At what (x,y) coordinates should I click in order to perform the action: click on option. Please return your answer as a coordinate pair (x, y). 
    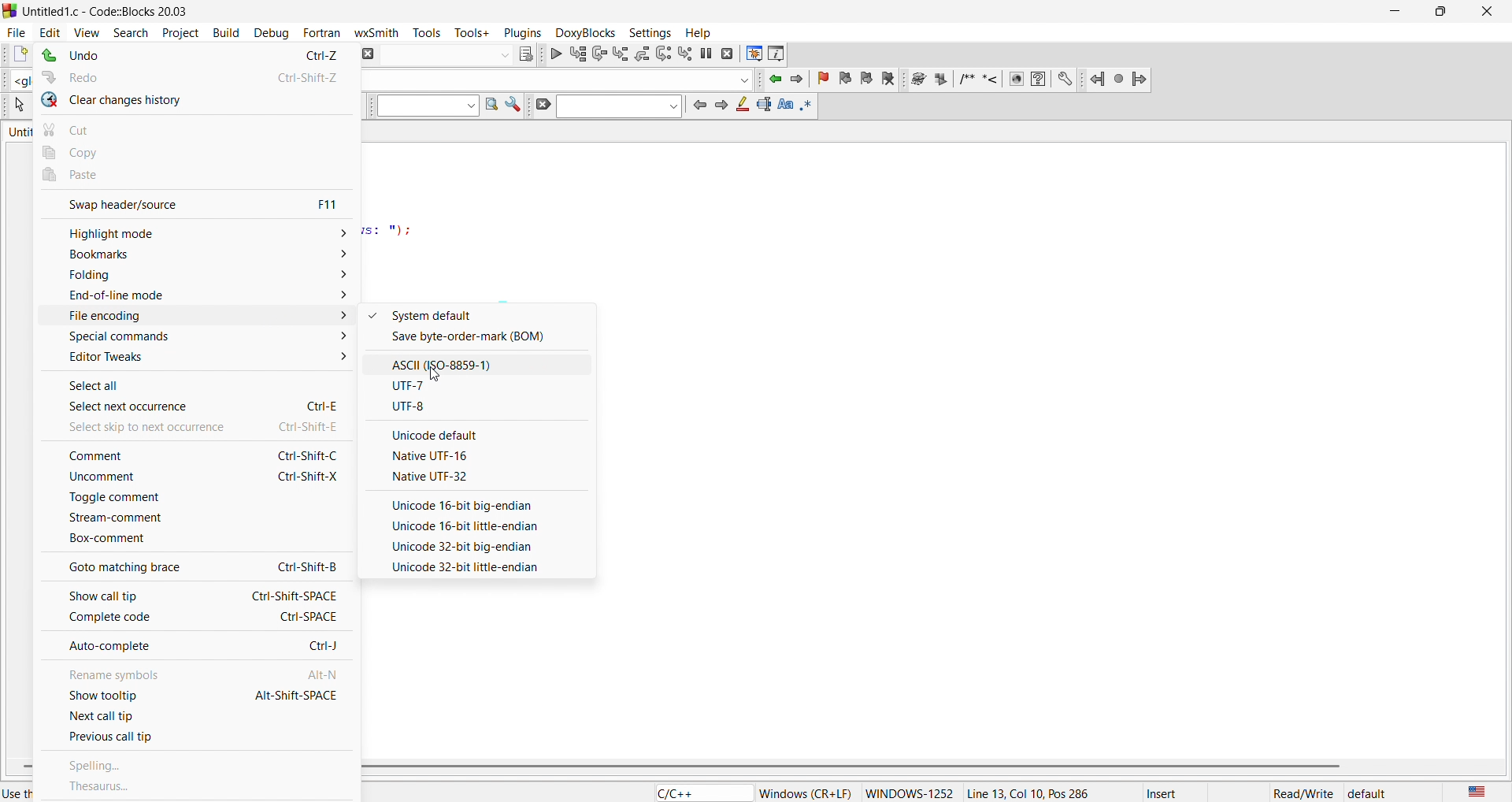
    Looking at the image, I should click on (484, 548).